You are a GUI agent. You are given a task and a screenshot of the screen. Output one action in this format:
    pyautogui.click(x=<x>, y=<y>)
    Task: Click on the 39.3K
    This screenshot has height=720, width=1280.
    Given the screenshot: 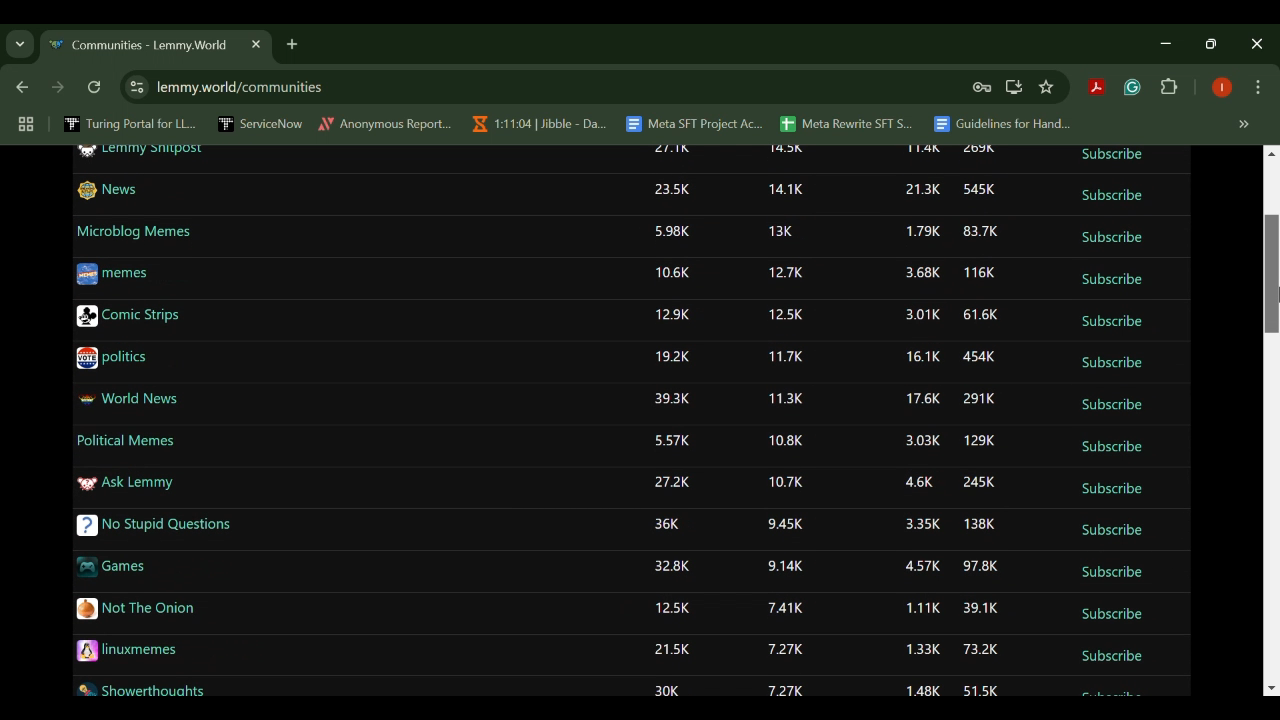 What is the action you would take?
    pyautogui.click(x=672, y=398)
    